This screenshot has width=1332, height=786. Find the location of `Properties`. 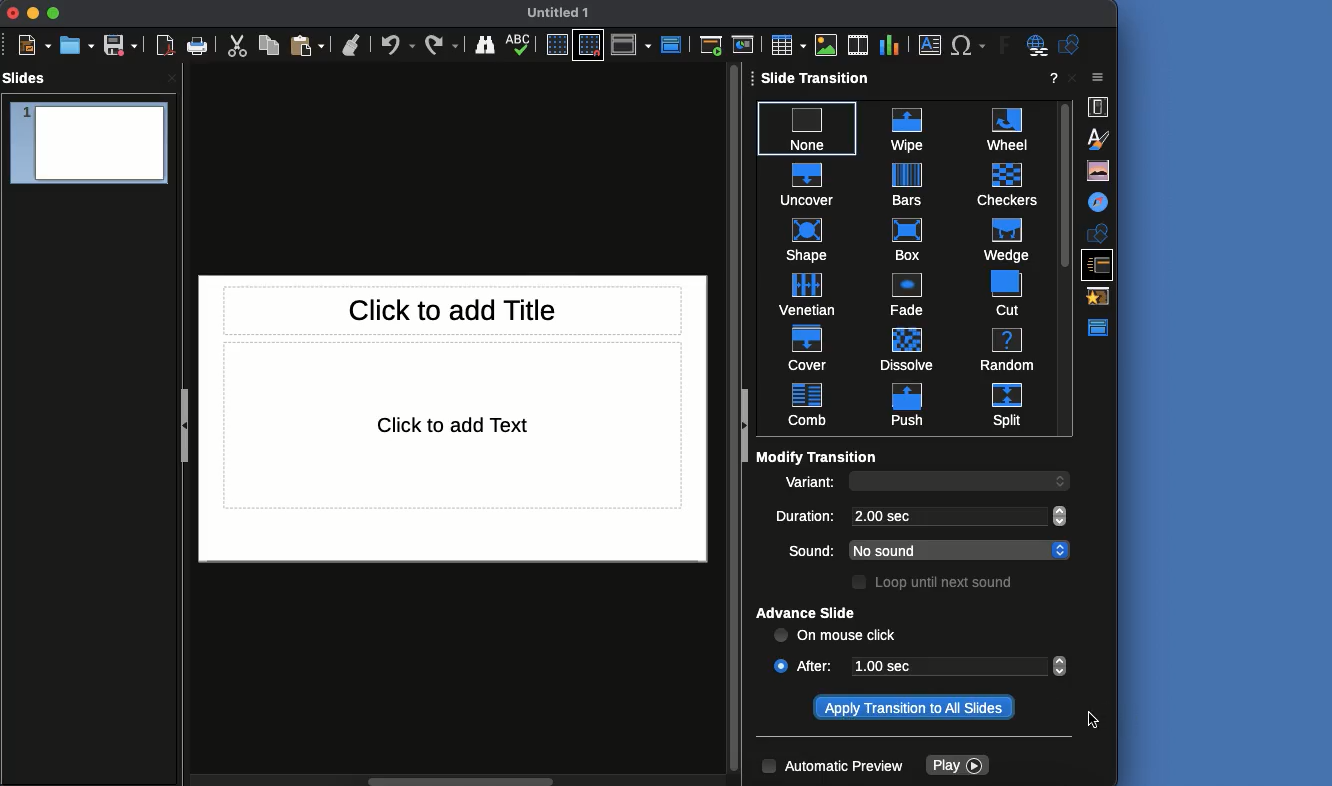

Properties is located at coordinates (1099, 105).